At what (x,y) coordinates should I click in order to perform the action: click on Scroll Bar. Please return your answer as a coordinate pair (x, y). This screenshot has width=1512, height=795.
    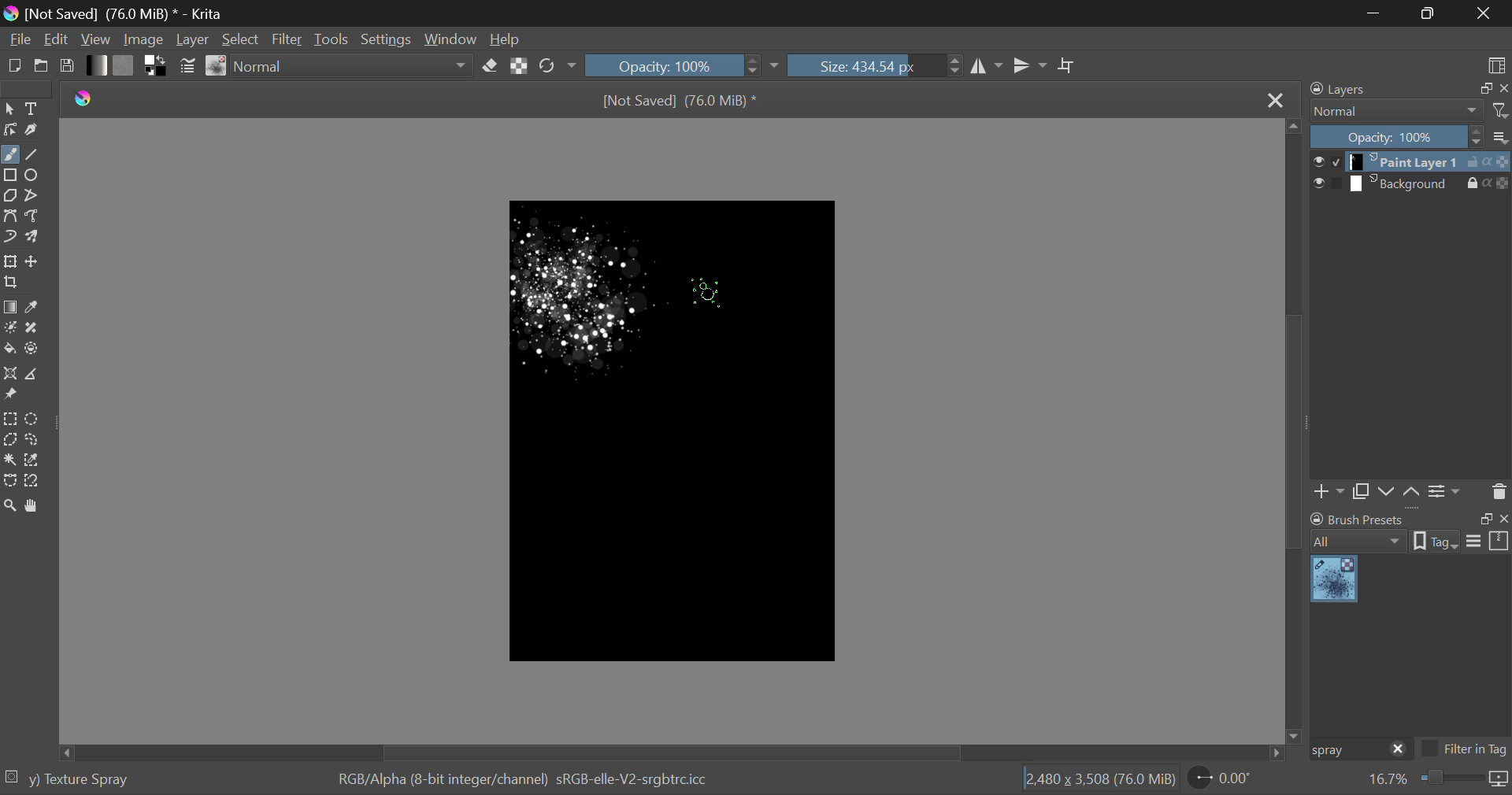
    Looking at the image, I should click on (676, 752).